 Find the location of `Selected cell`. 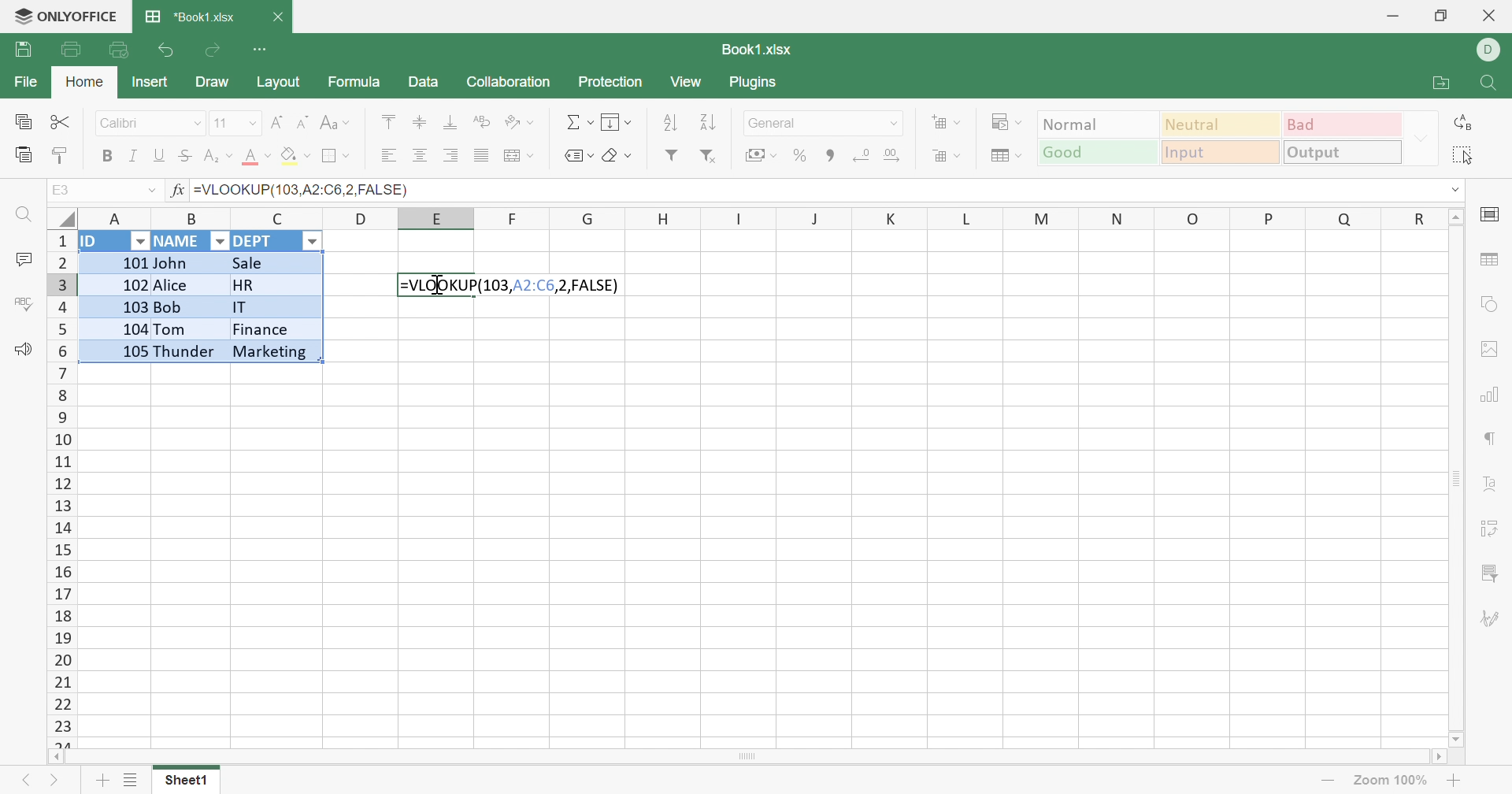

Selected cell is located at coordinates (438, 287).